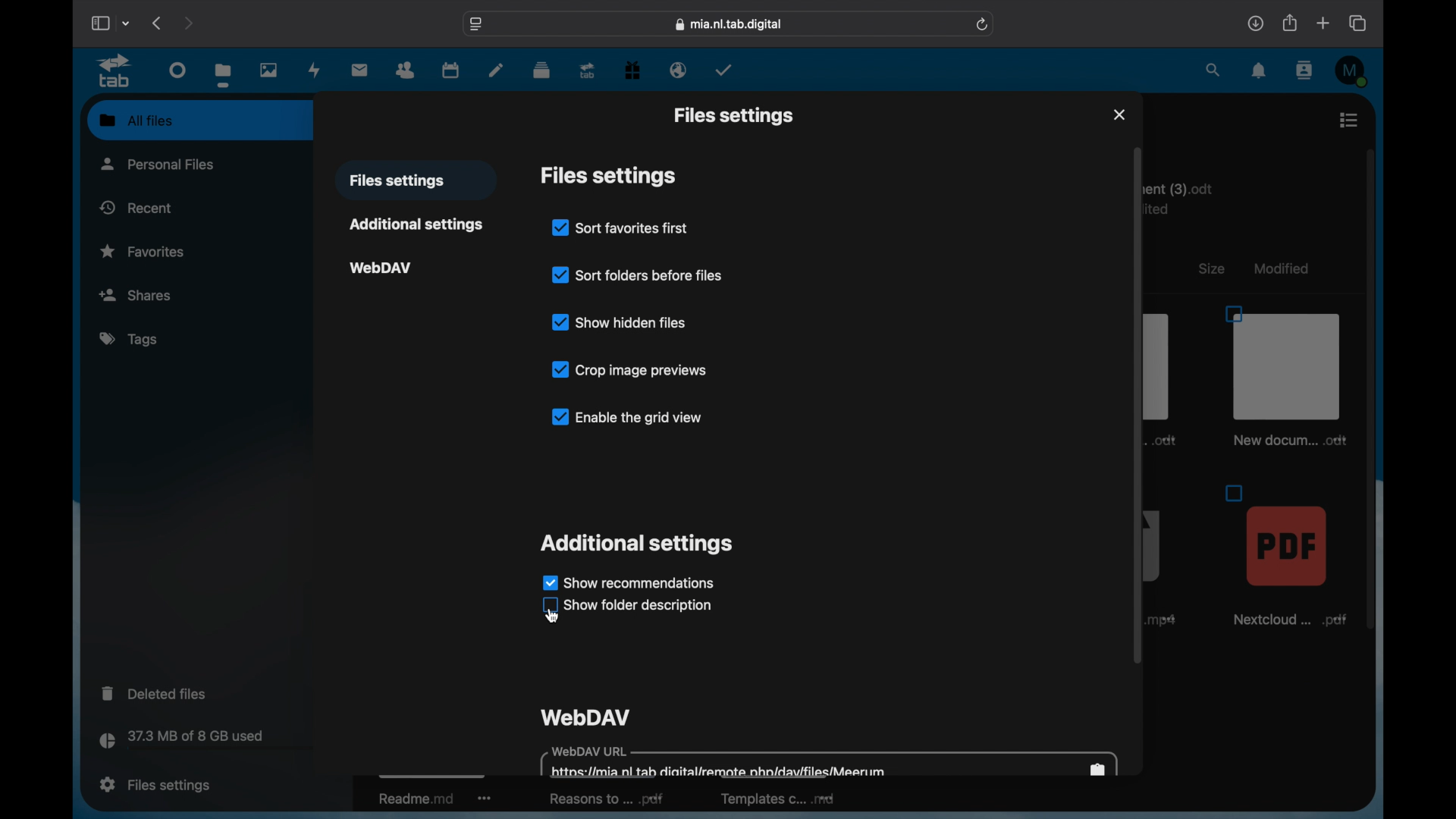 The width and height of the screenshot is (1456, 819). Describe the element at coordinates (829, 761) in the screenshot. I see `webdav` at that location.